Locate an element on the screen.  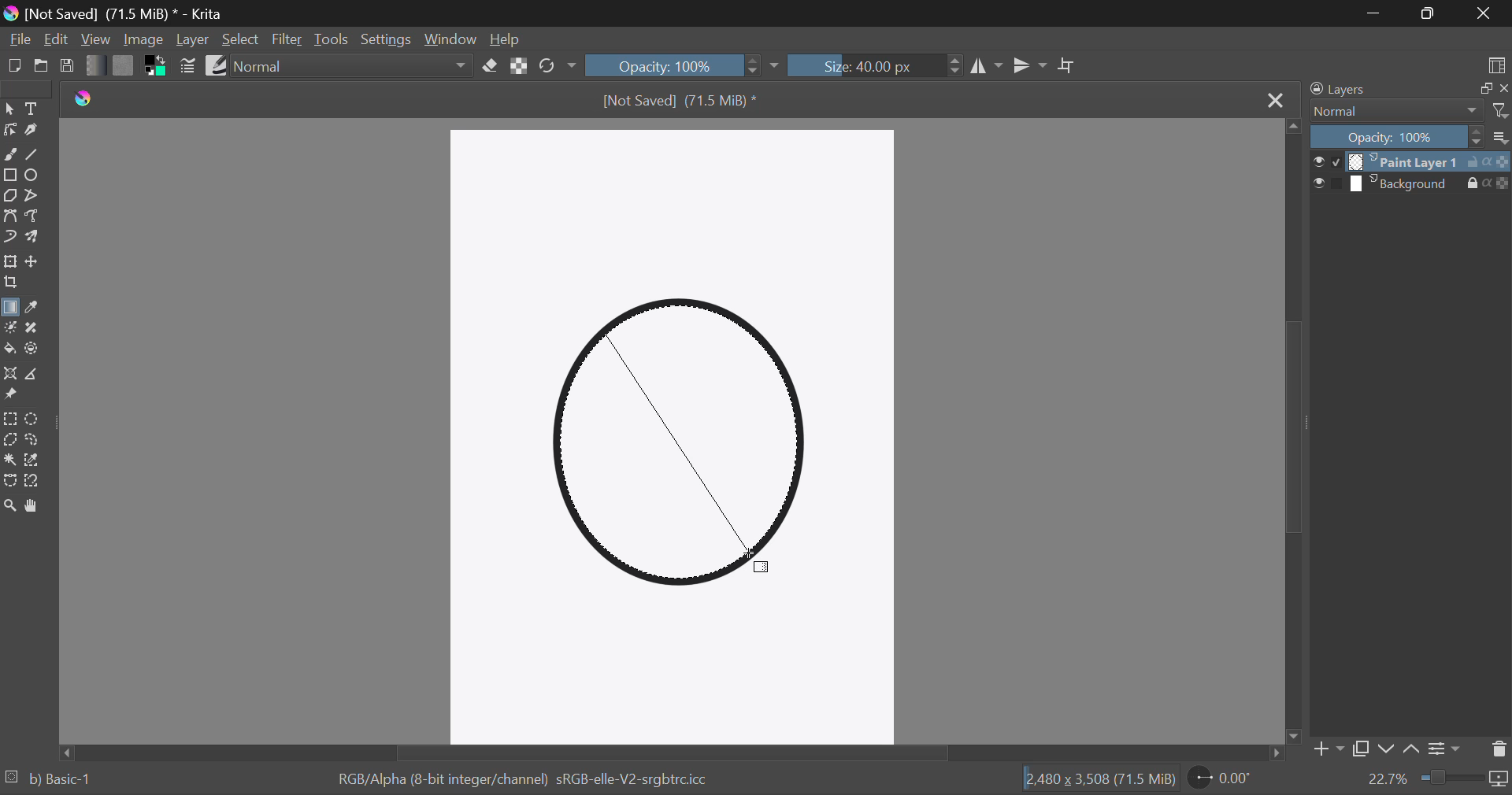
Polygon is located at coordinates (11, 197).